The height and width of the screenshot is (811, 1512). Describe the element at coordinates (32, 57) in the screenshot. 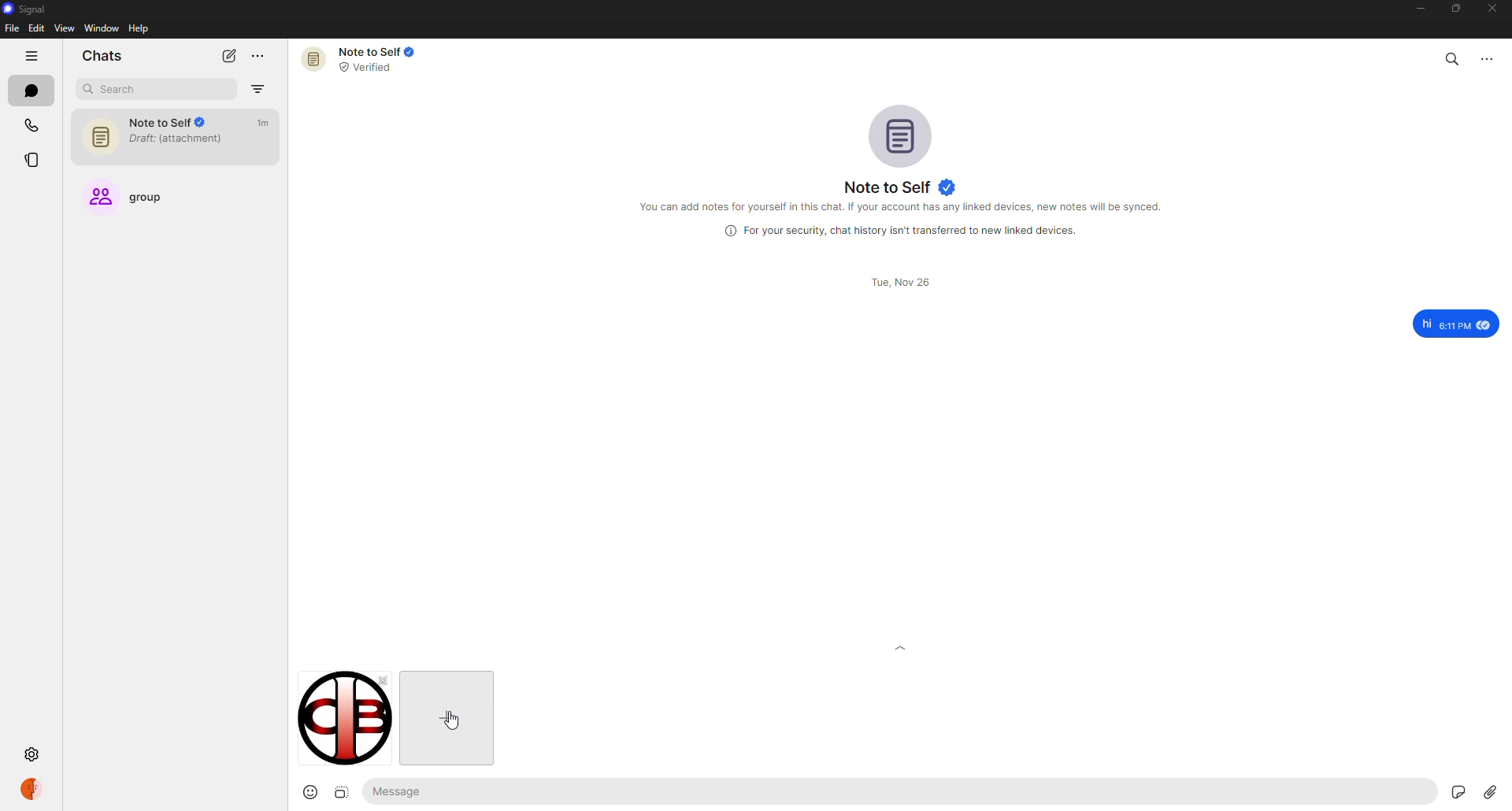

I see `hide tabs` at that location.